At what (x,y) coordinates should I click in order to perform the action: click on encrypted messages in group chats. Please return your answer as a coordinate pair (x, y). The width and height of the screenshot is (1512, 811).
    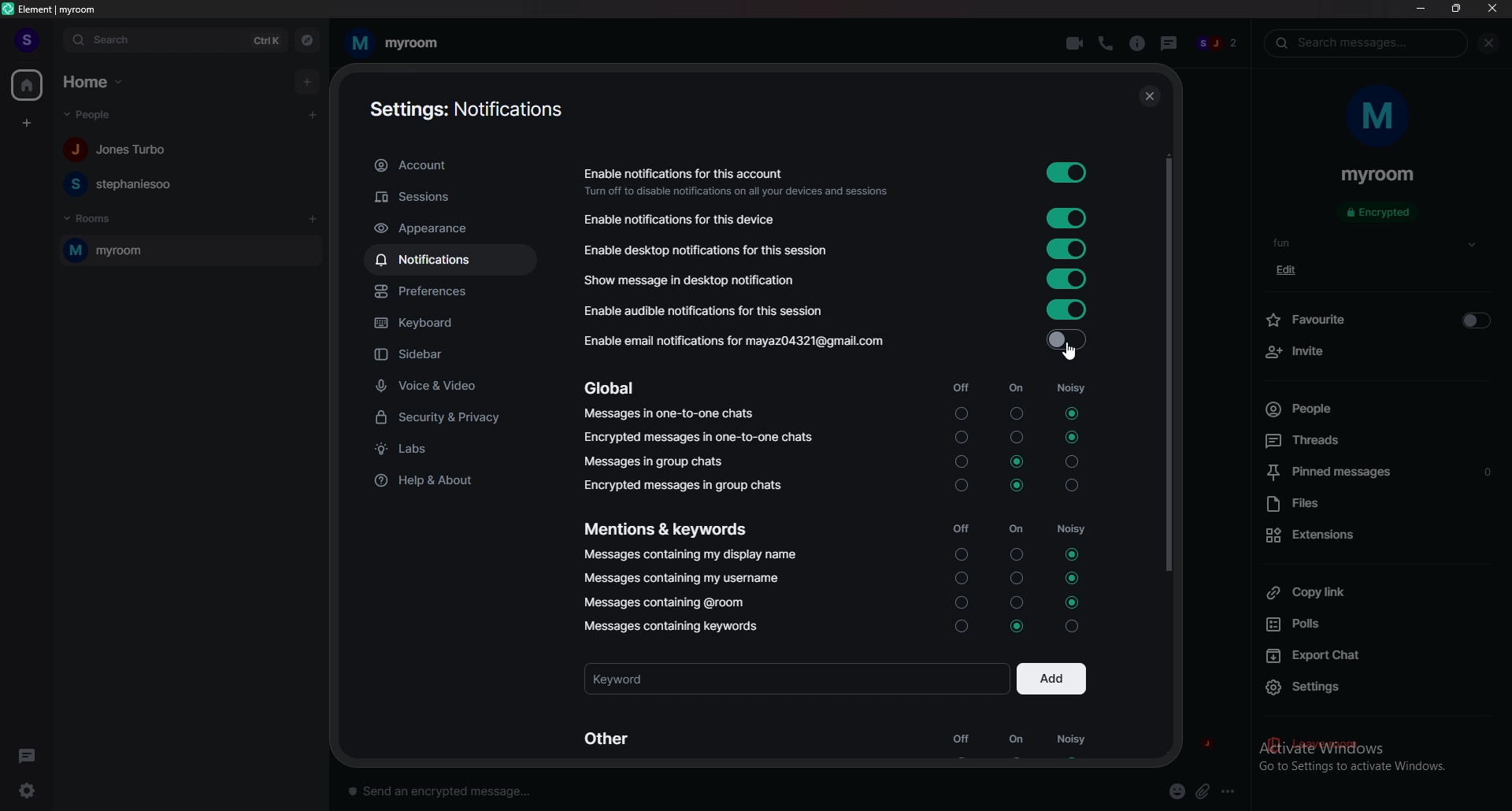
    Looking at the image, I should click on (684, 485).